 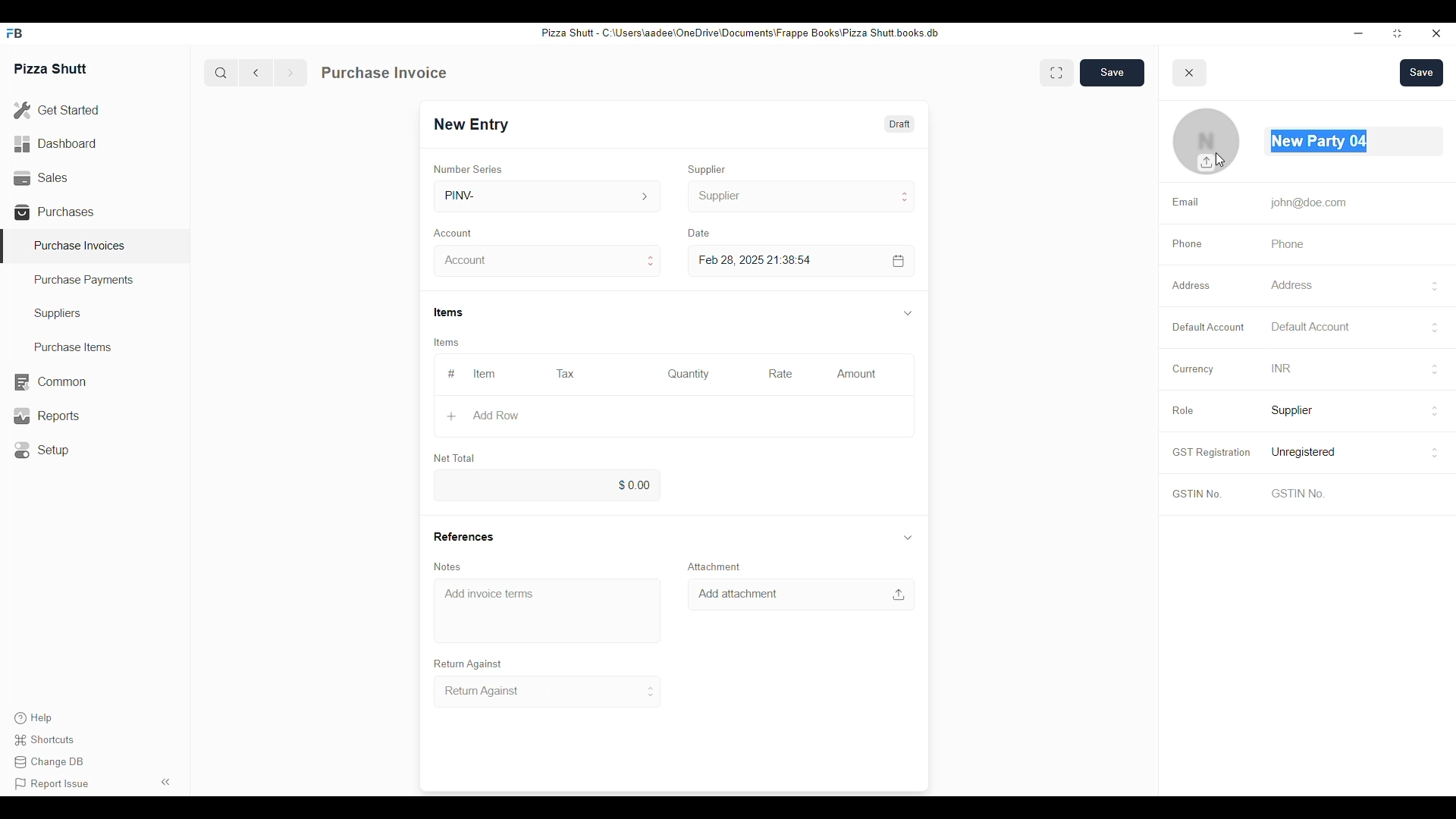 I want to click on john@doe.com, so click(x=1307, y=202).